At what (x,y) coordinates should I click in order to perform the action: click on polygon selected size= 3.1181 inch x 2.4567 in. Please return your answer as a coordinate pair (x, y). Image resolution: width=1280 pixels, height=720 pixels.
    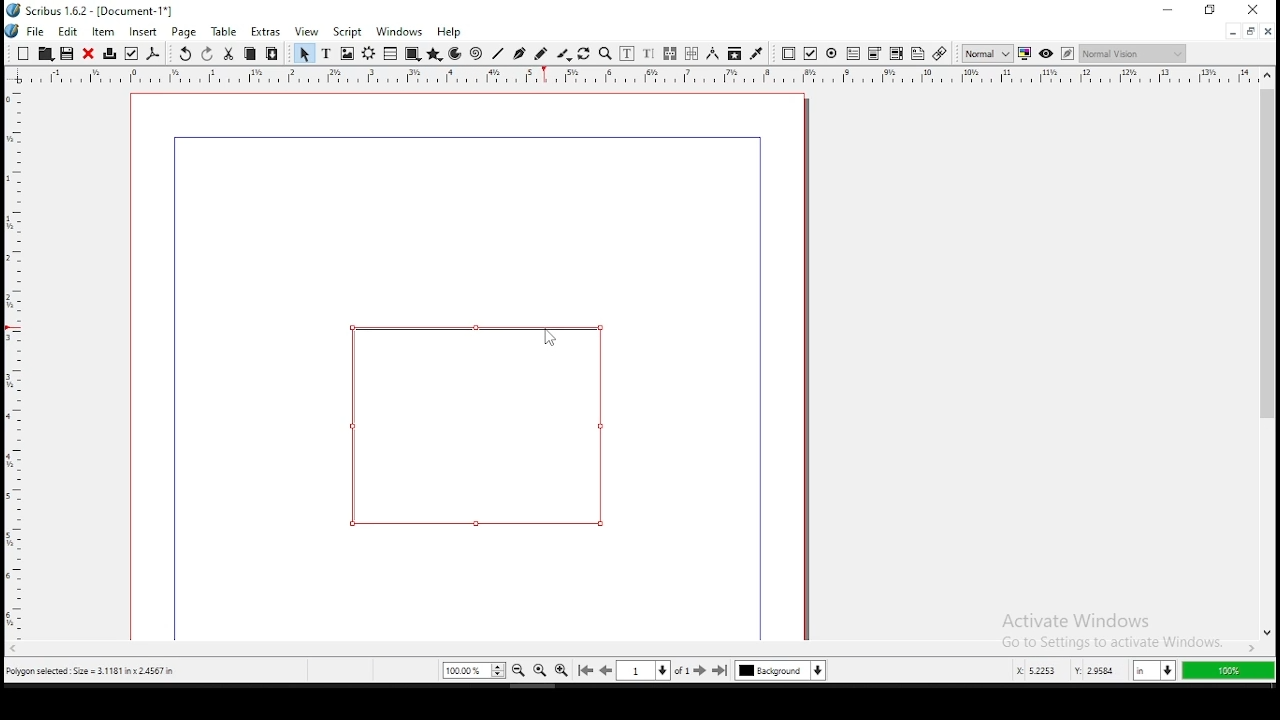
    Looking at the image, I should click on (94, 673).